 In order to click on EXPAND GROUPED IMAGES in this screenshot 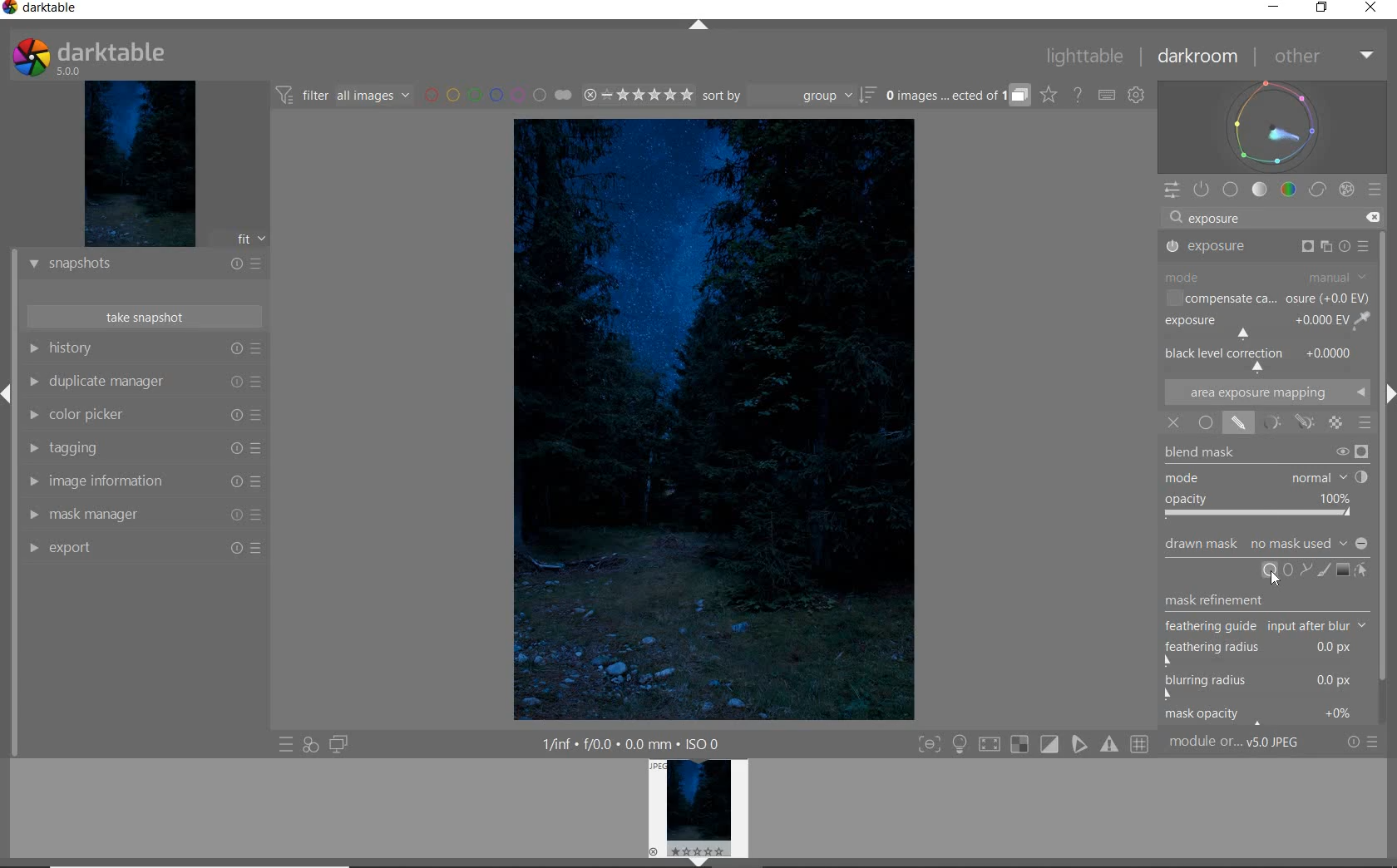, I will do `click(958, 94)`.